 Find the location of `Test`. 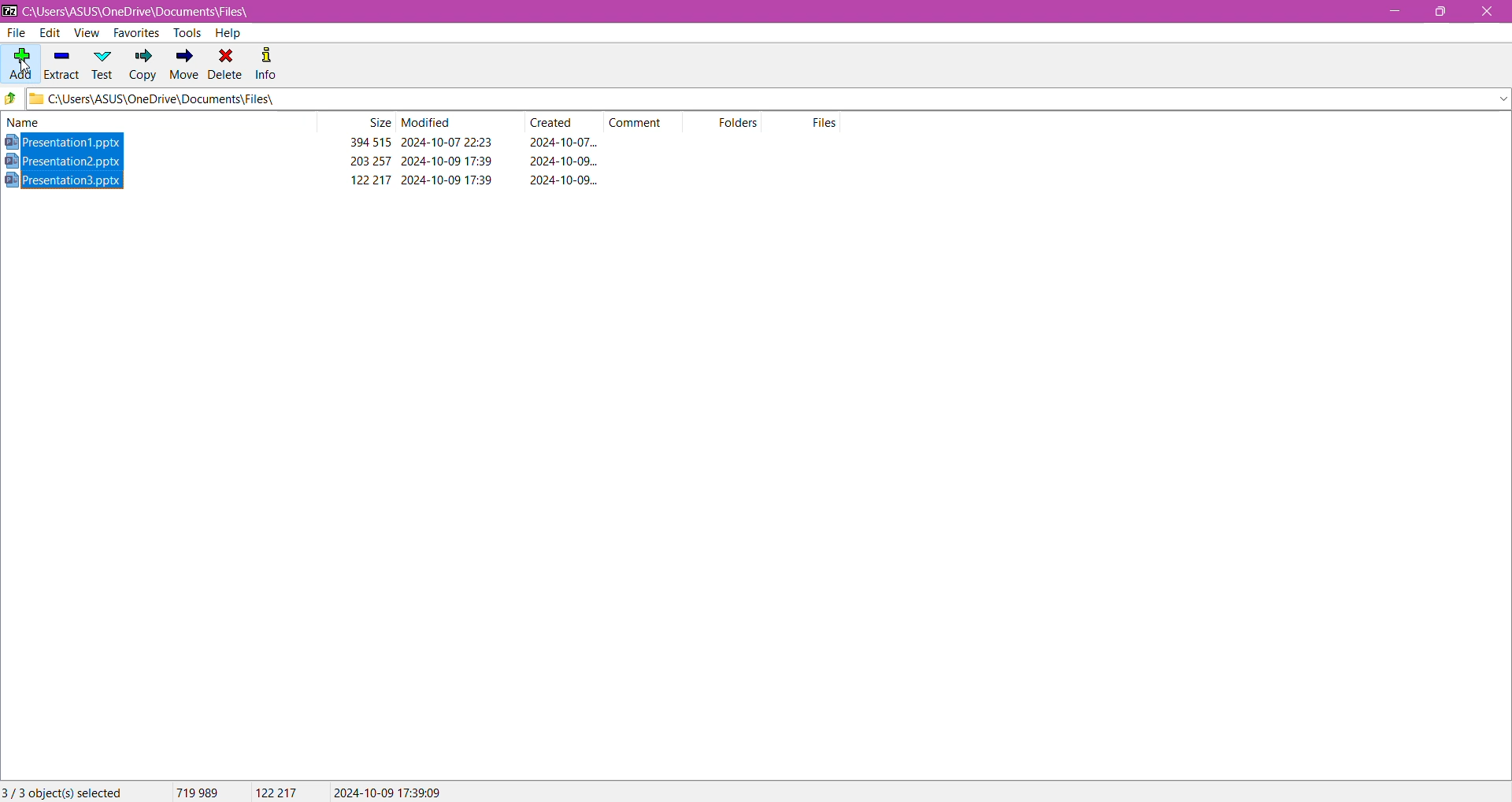

Test is located at coordinates (103, 64).